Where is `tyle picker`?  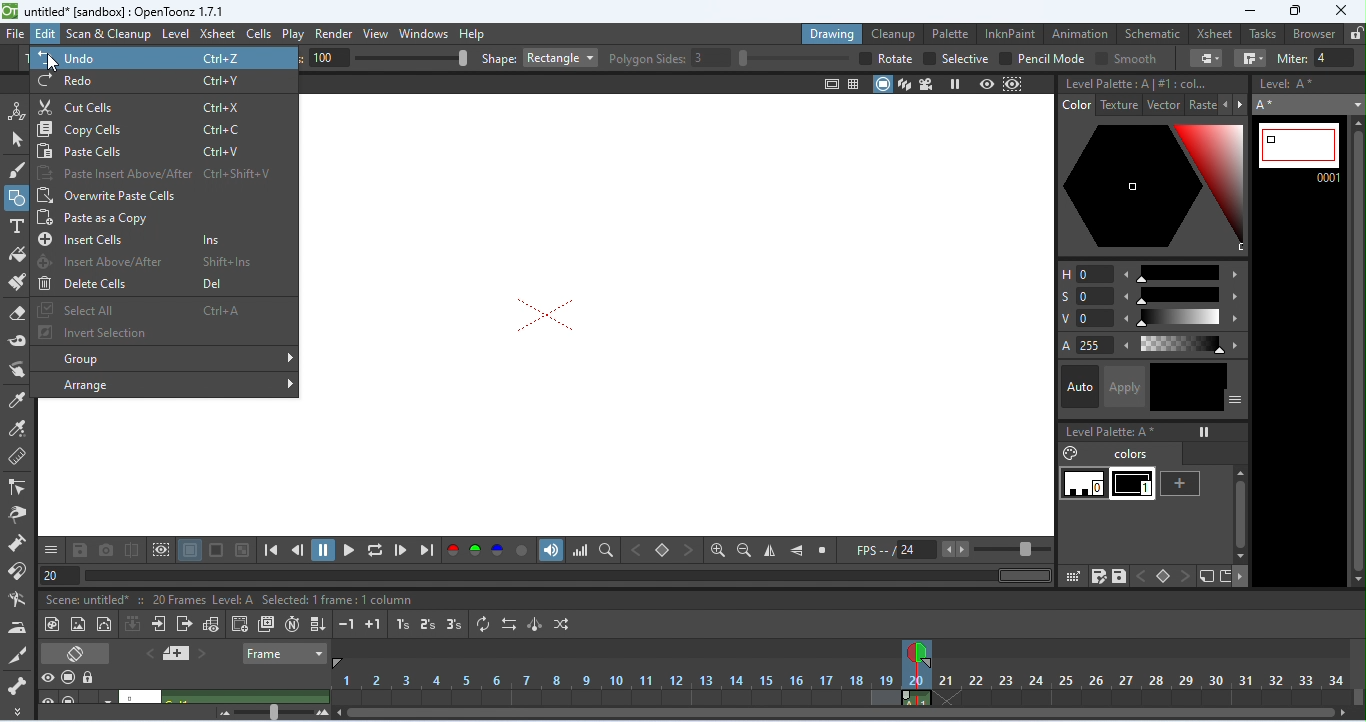 tyle picker is located at coordinates (17, 398).